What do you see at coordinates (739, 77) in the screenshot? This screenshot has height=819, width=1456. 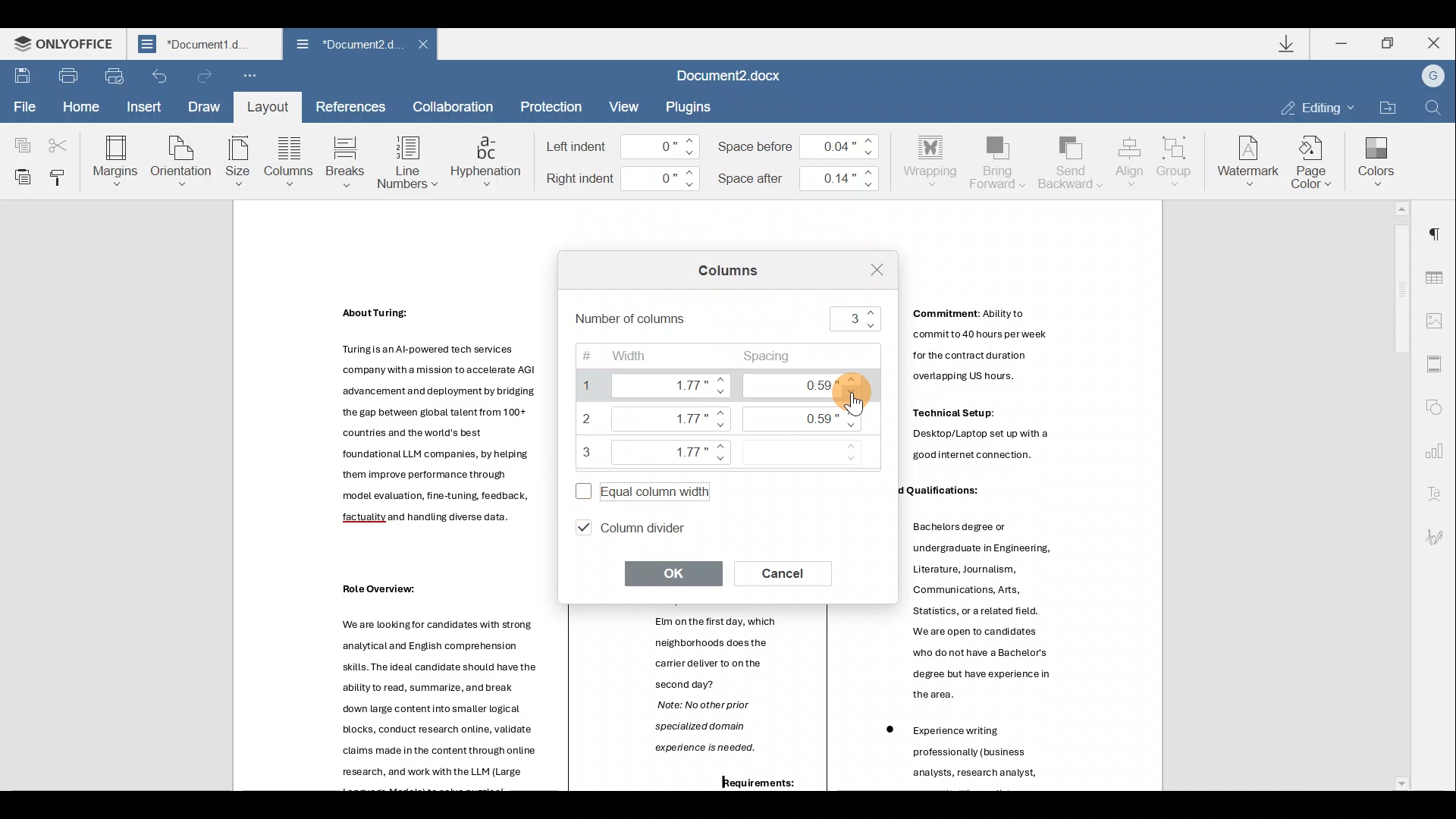 I see `Document2.docx` at bounding box center [739, 77].